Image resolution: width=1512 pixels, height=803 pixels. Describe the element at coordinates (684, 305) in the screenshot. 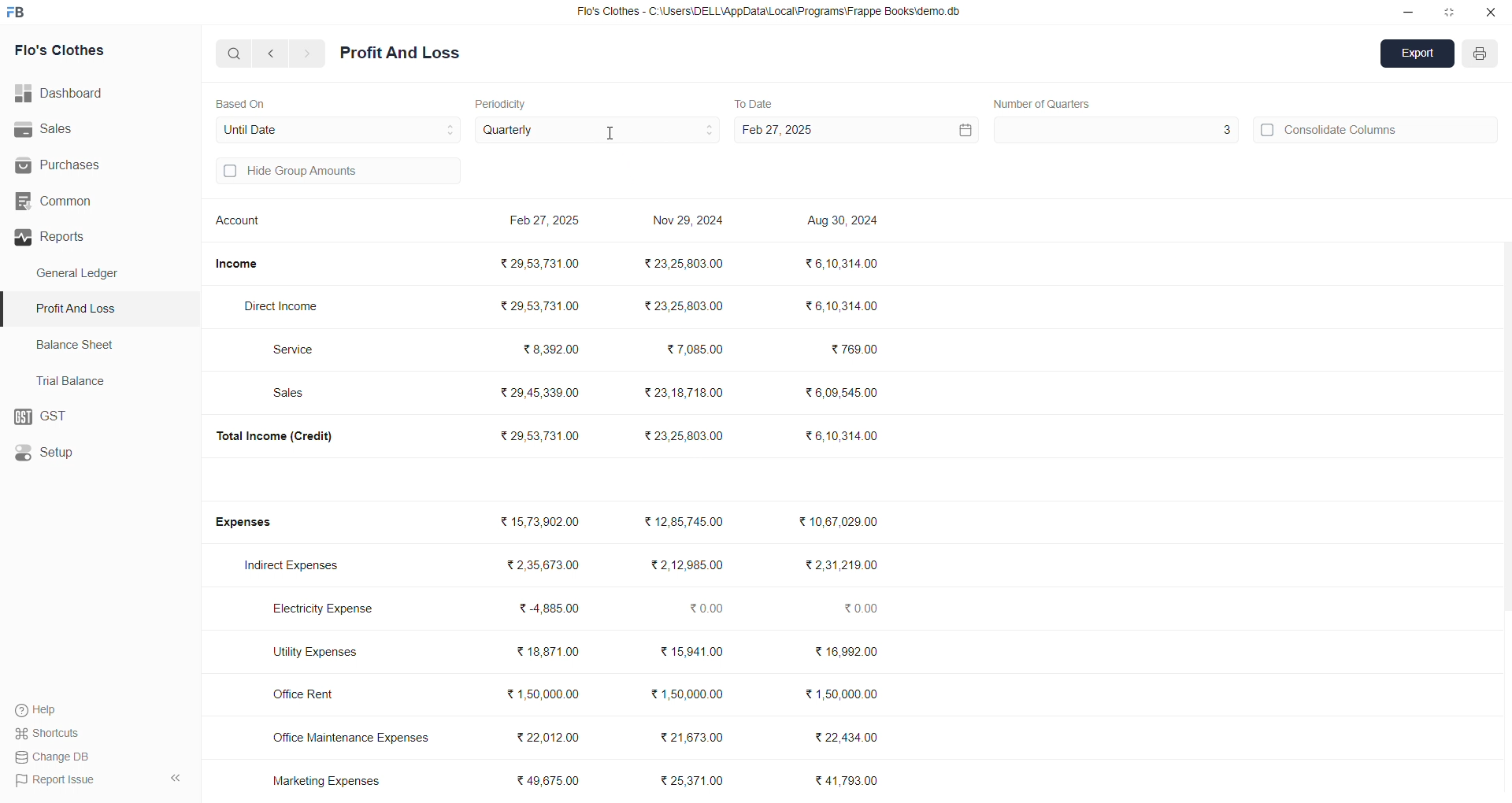

I see `₹23,25803.00` at that location.